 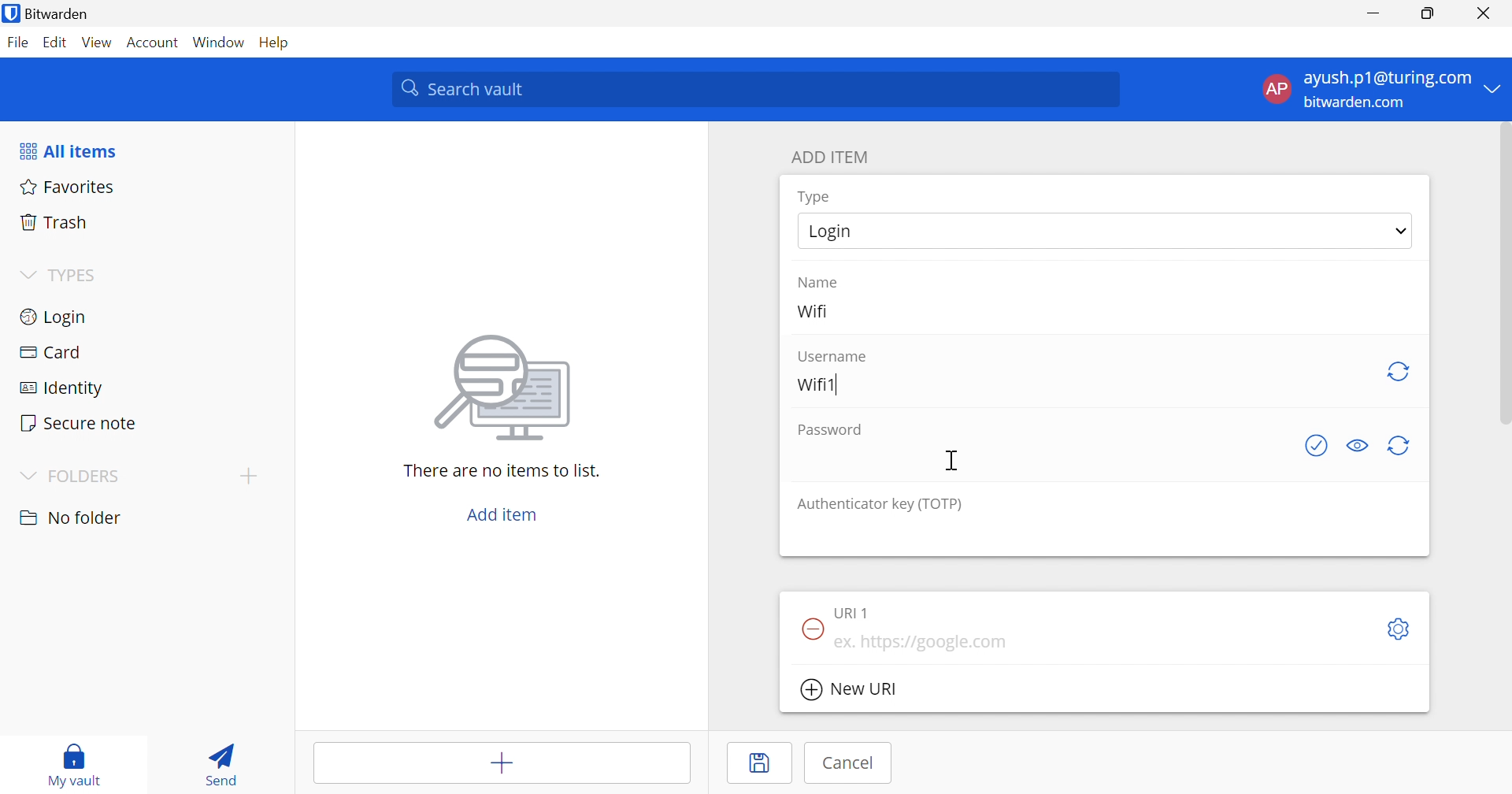 I want to click on Username, so click(x=834, y=358).